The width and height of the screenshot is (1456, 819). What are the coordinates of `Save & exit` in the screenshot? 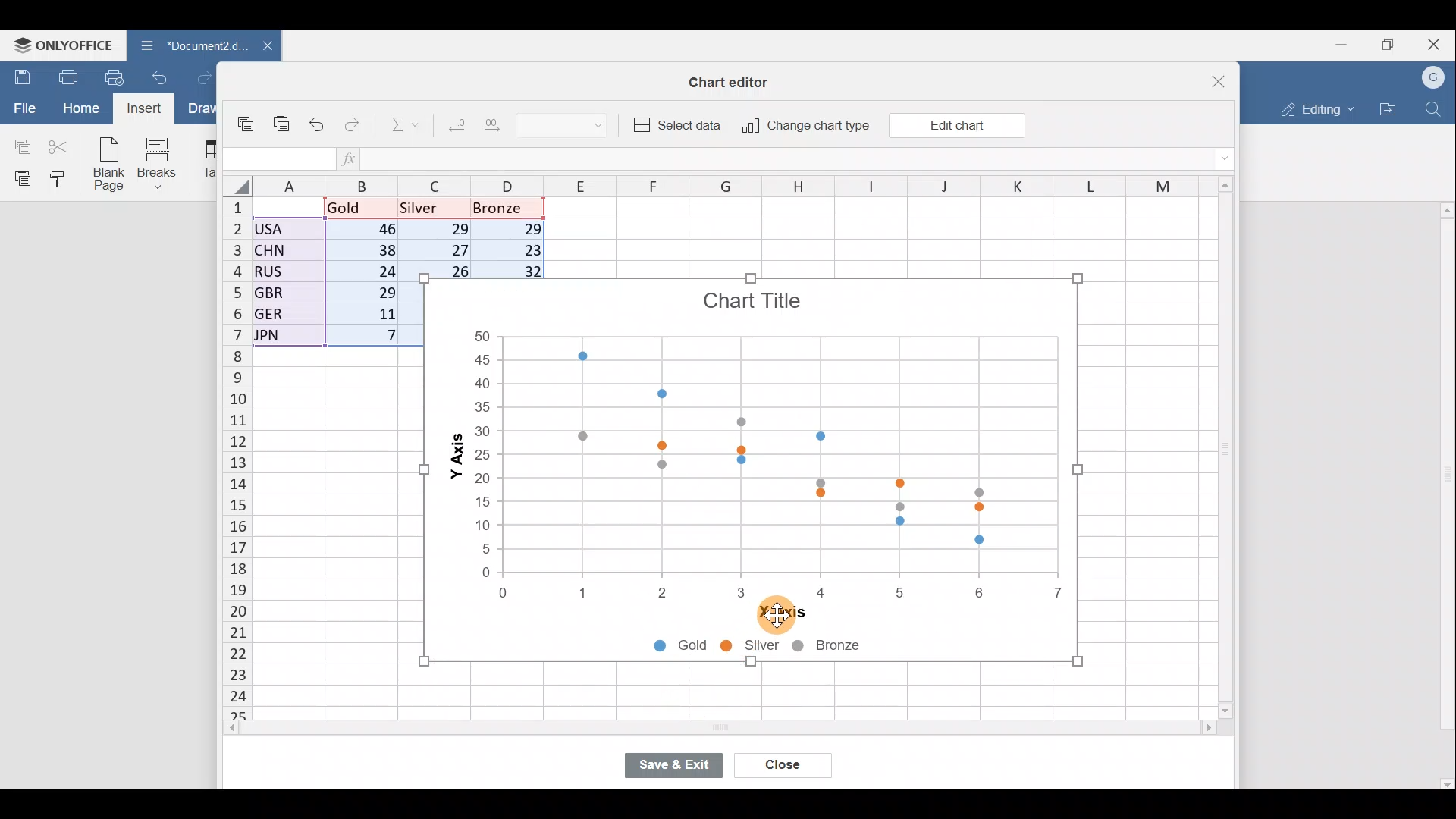 It's located at (674, 764).